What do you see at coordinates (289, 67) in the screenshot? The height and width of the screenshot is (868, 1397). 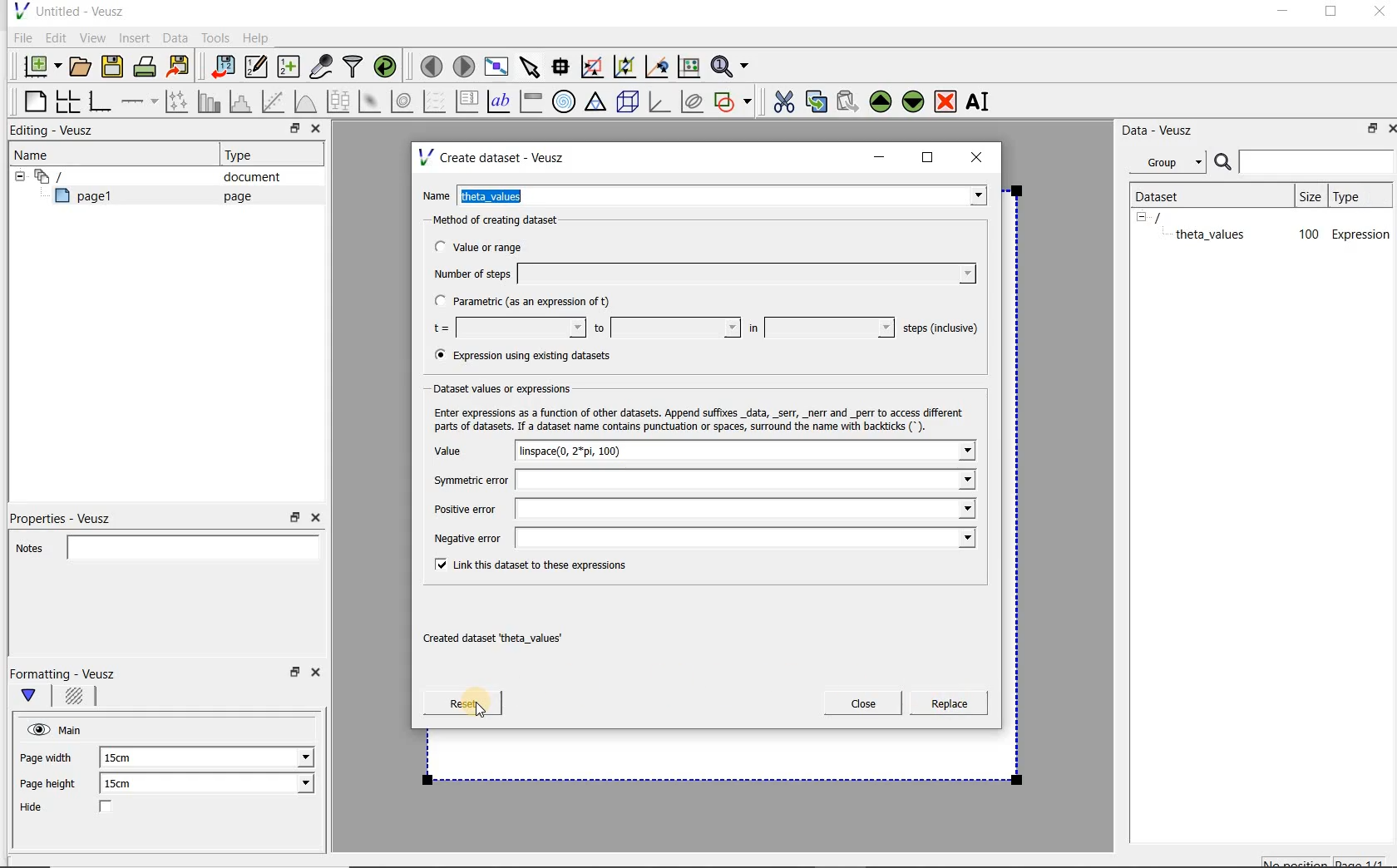 I see `create new datasets using ranges, parametrically or as functions of existing datasets` at bounding box center [289, 67].